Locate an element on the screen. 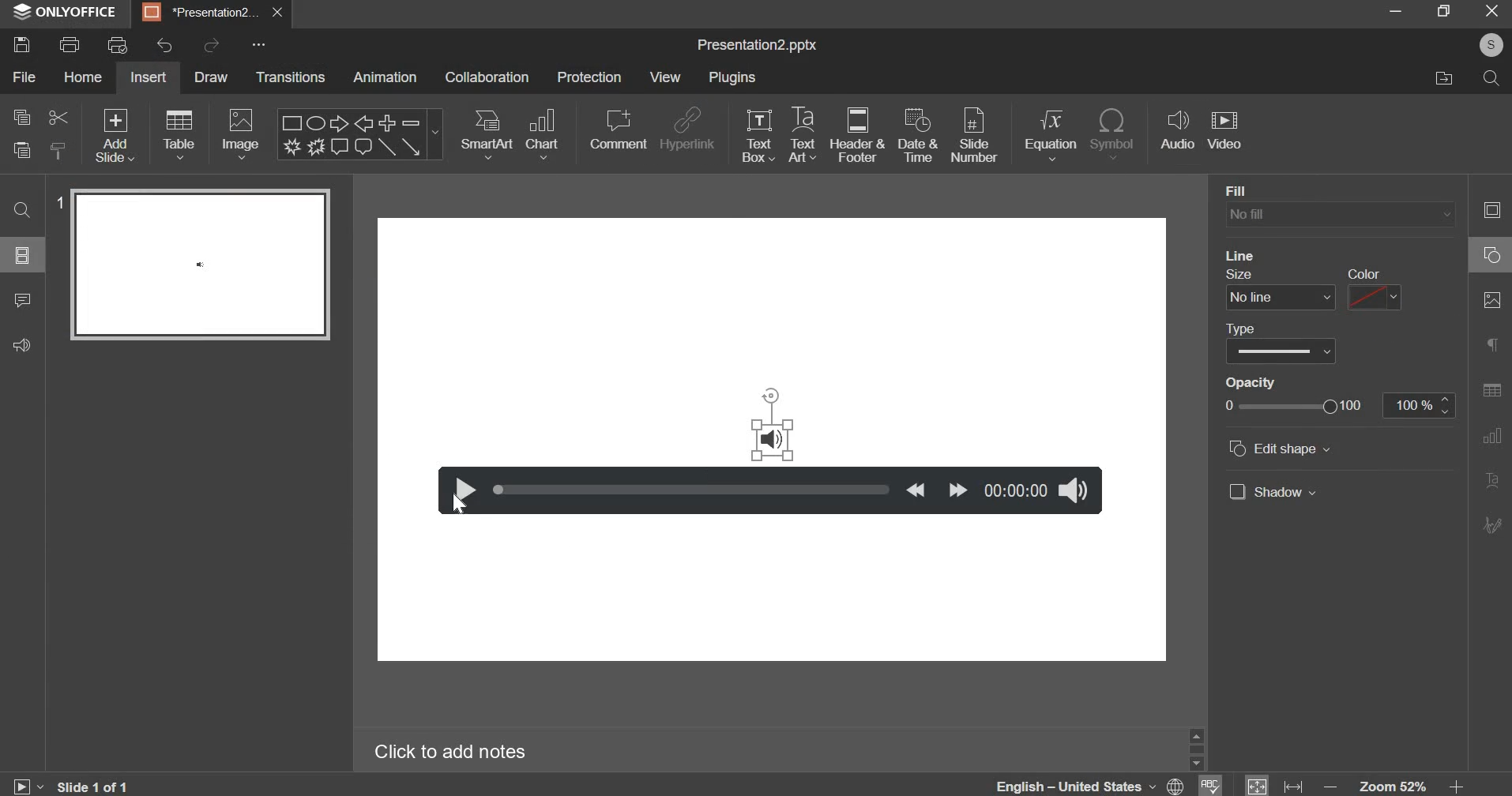  text art settings is located at coordinates (1490, 479).